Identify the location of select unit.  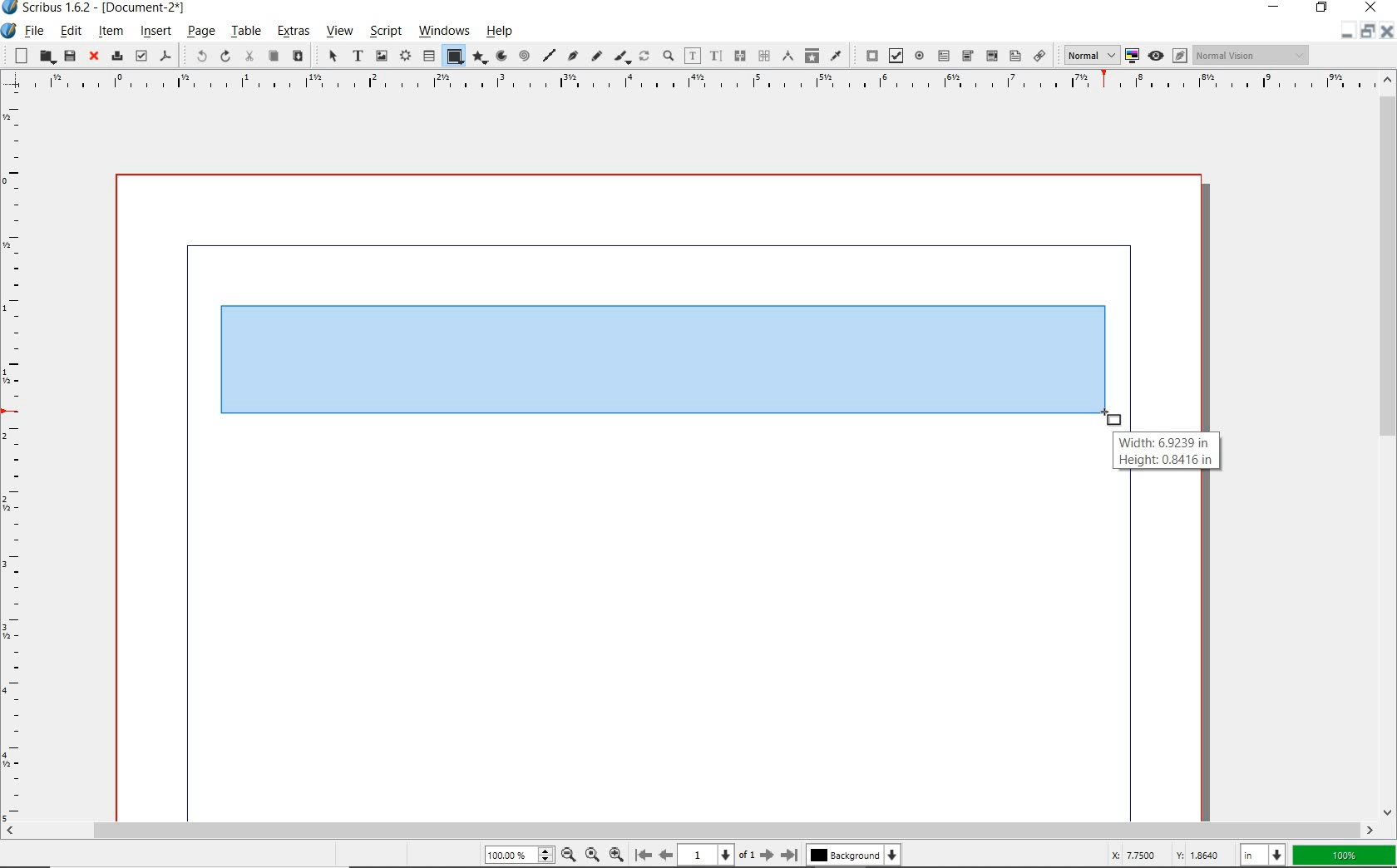
(1261, 856).